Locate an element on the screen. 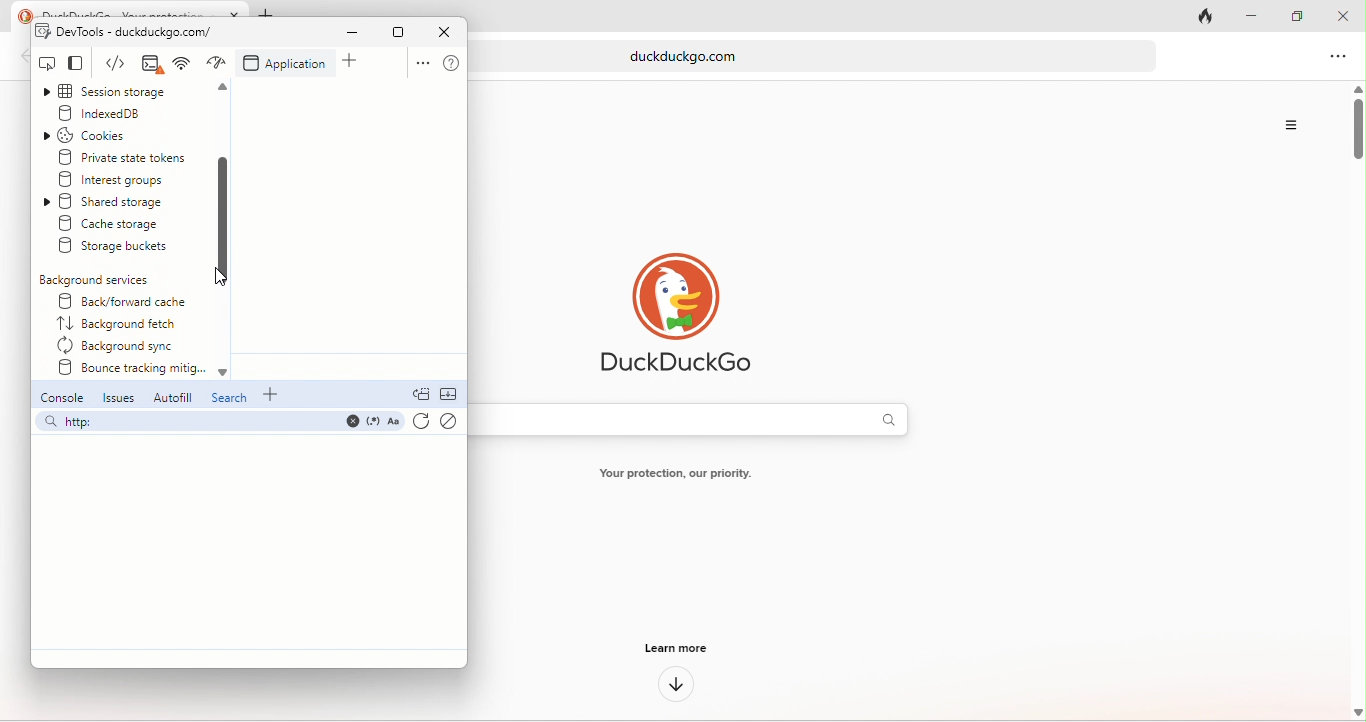 The width and height of the screenshot is (1366, 722). background fetch is located at coordinates (121, 322).